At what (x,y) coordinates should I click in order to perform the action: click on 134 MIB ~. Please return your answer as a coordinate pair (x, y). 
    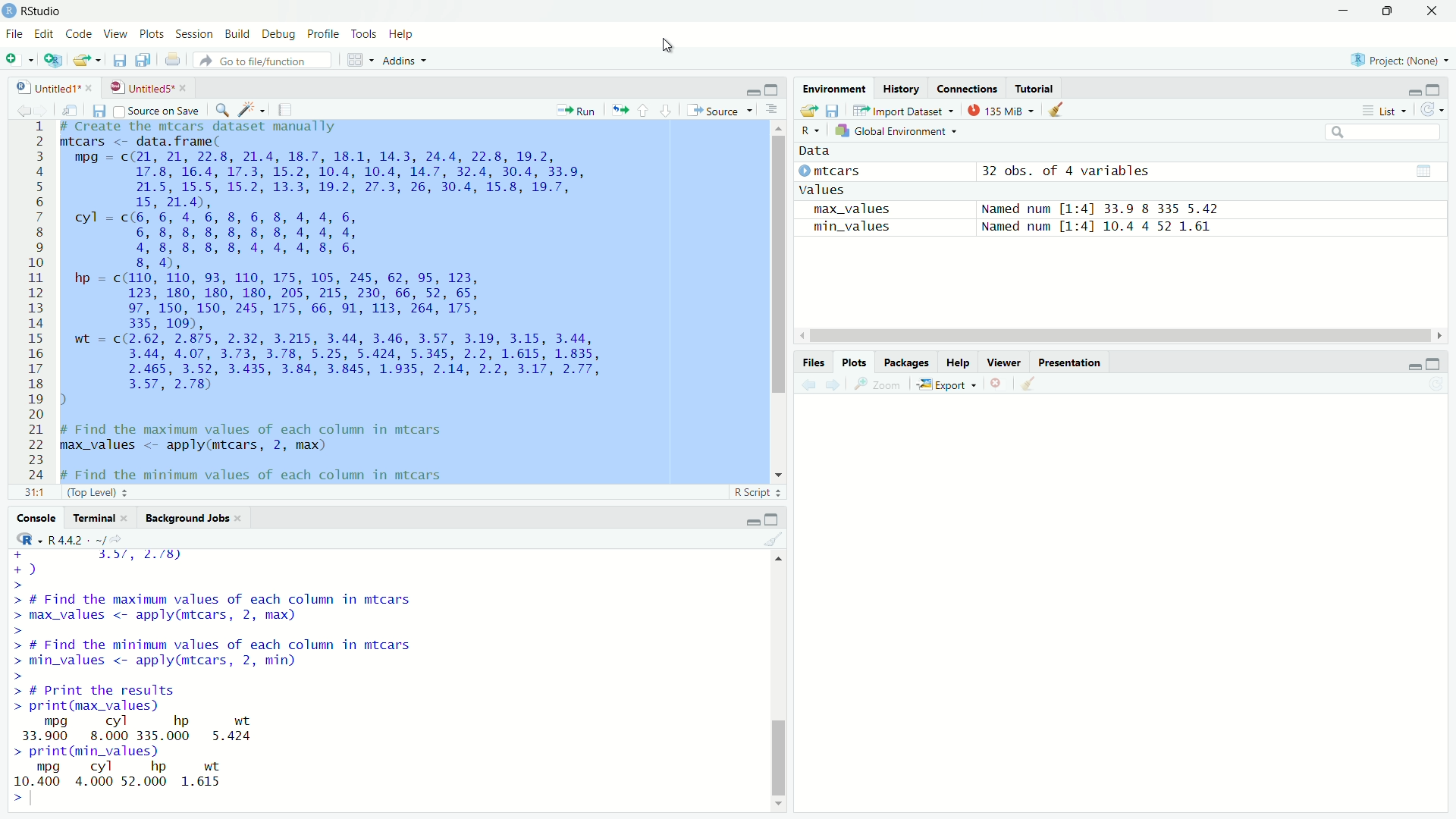
    Looking at the image, I should click on (999, 111).